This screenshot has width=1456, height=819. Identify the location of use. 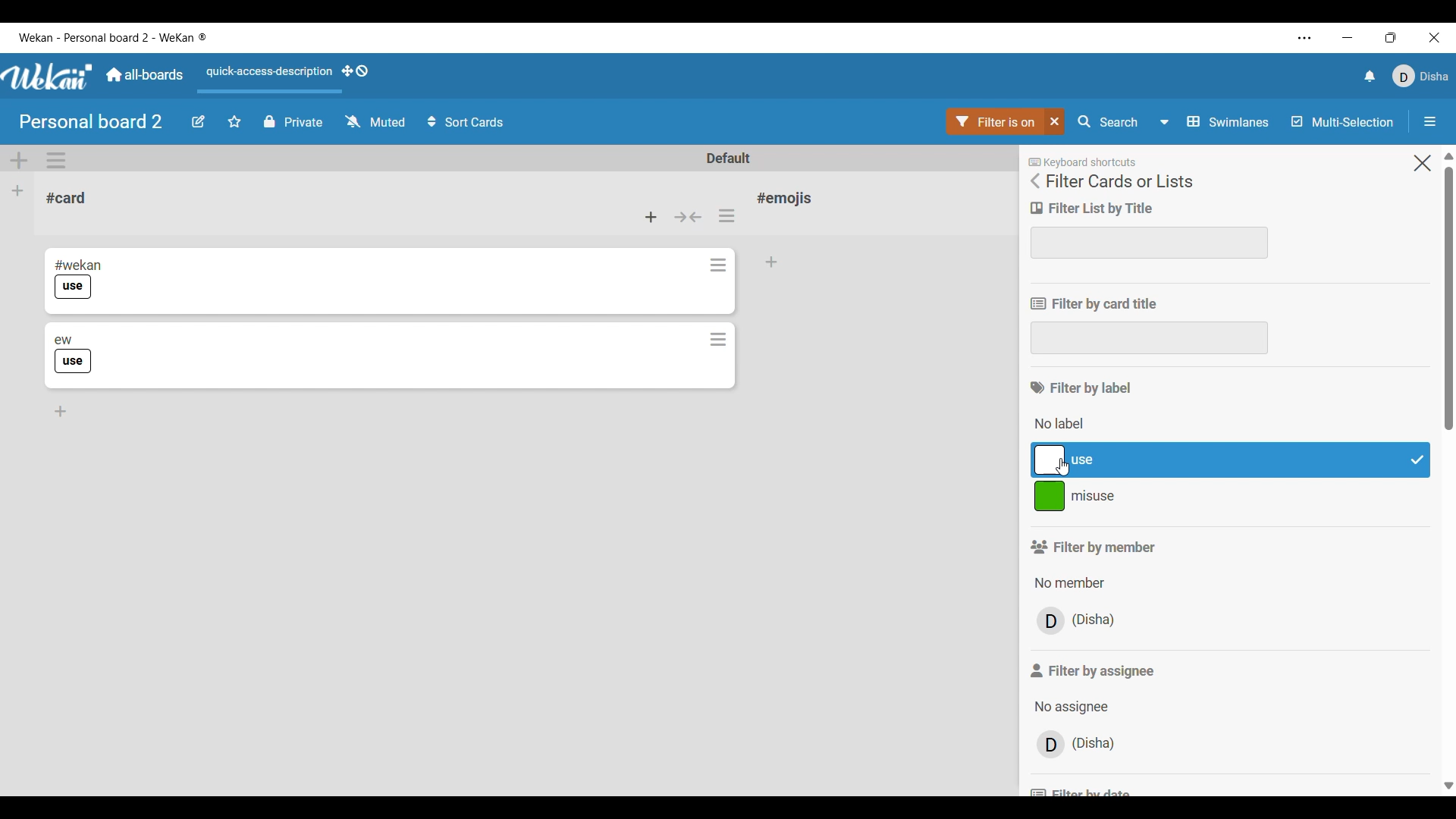
(1164, 460).